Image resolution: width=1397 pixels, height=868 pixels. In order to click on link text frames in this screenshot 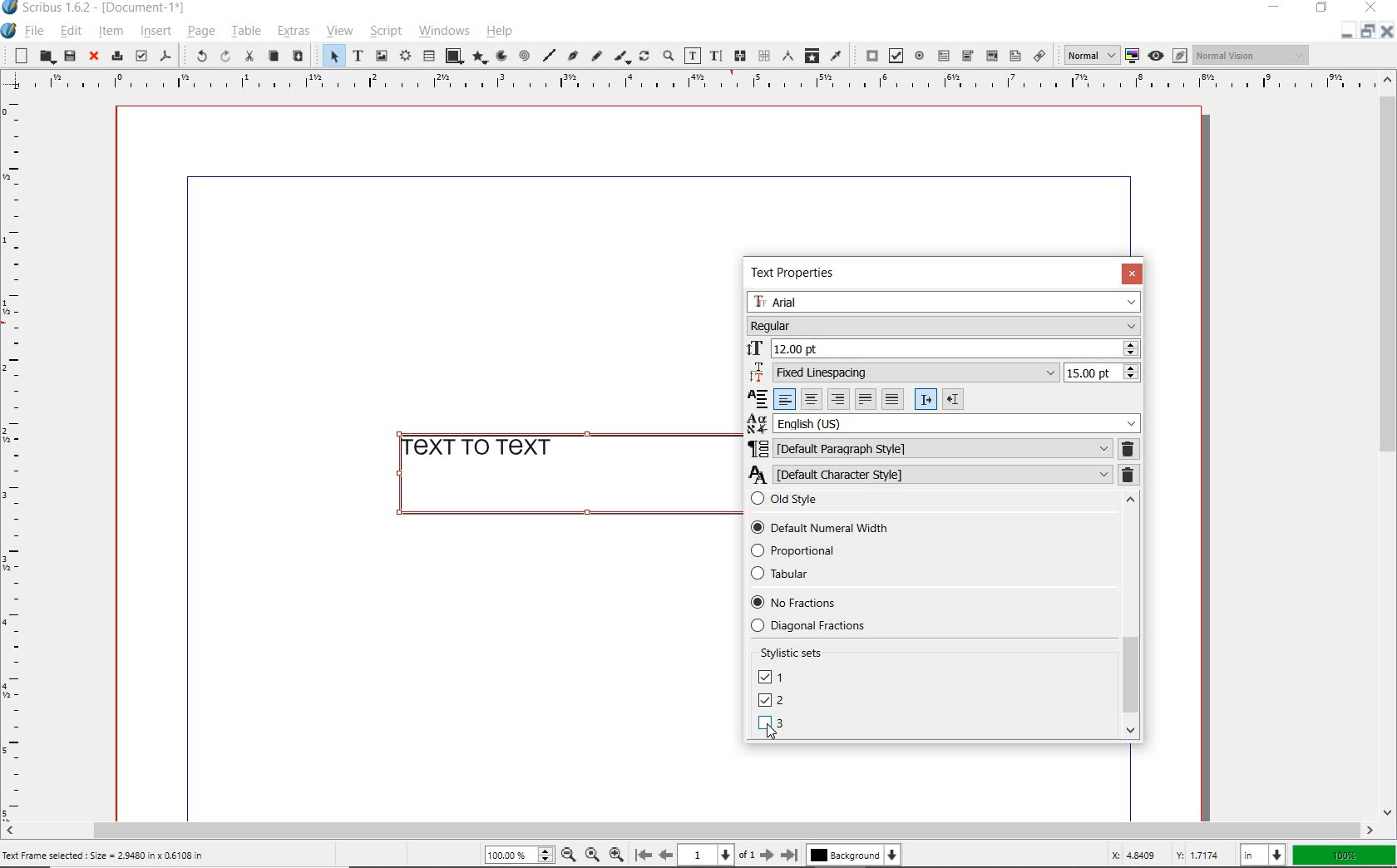, I will do `click(738, 56)`.